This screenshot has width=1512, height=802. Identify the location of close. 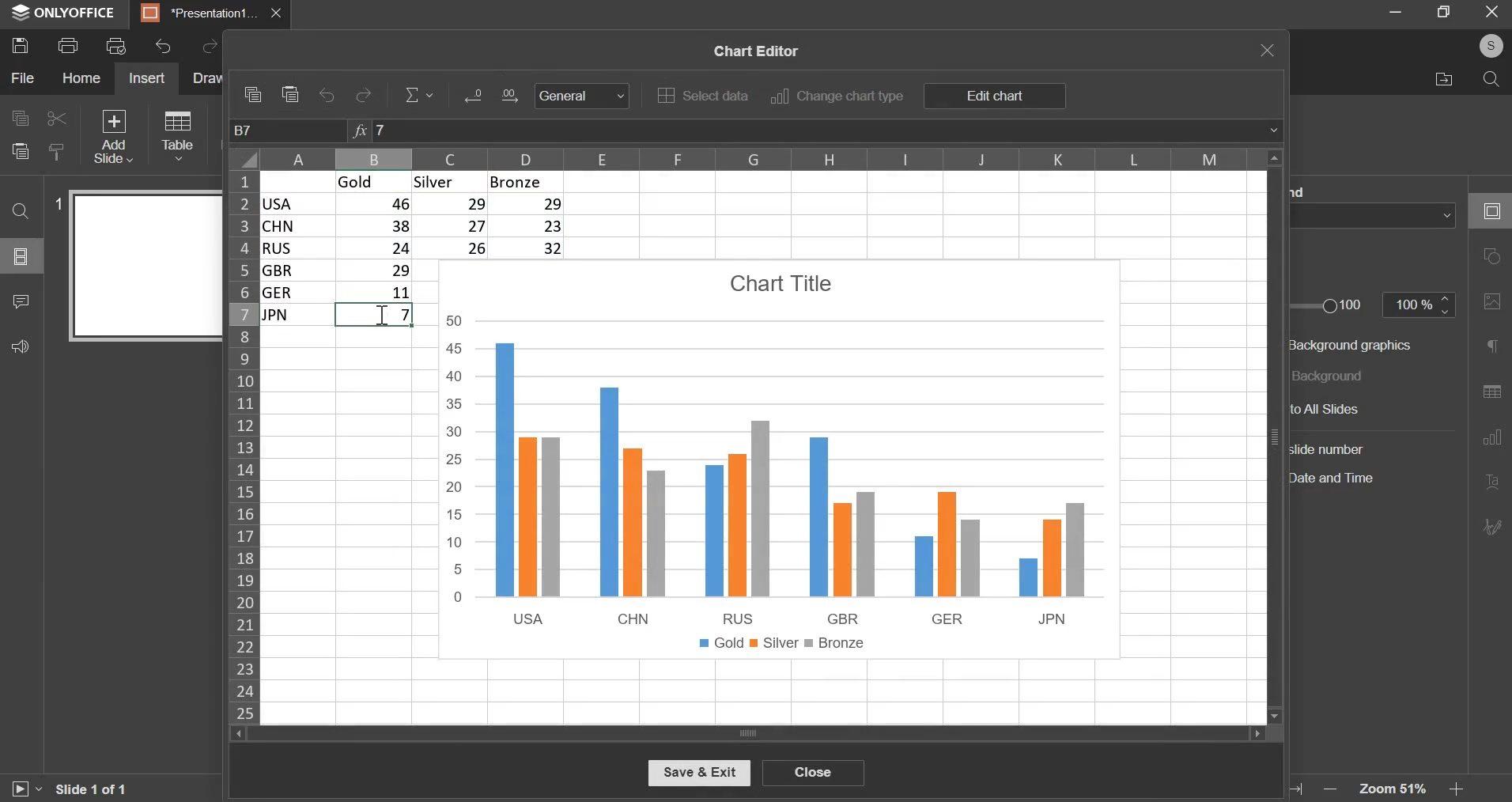
(279, 13).